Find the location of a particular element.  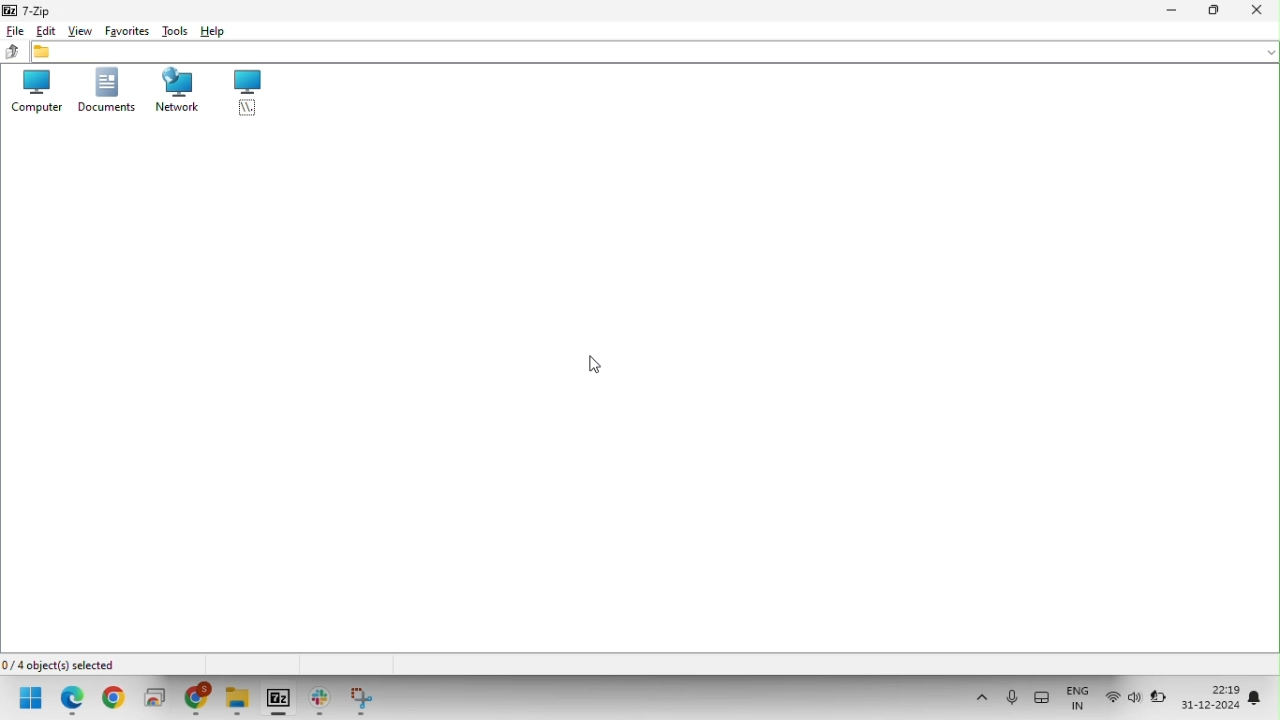

View is located at coordinates (78, 29).